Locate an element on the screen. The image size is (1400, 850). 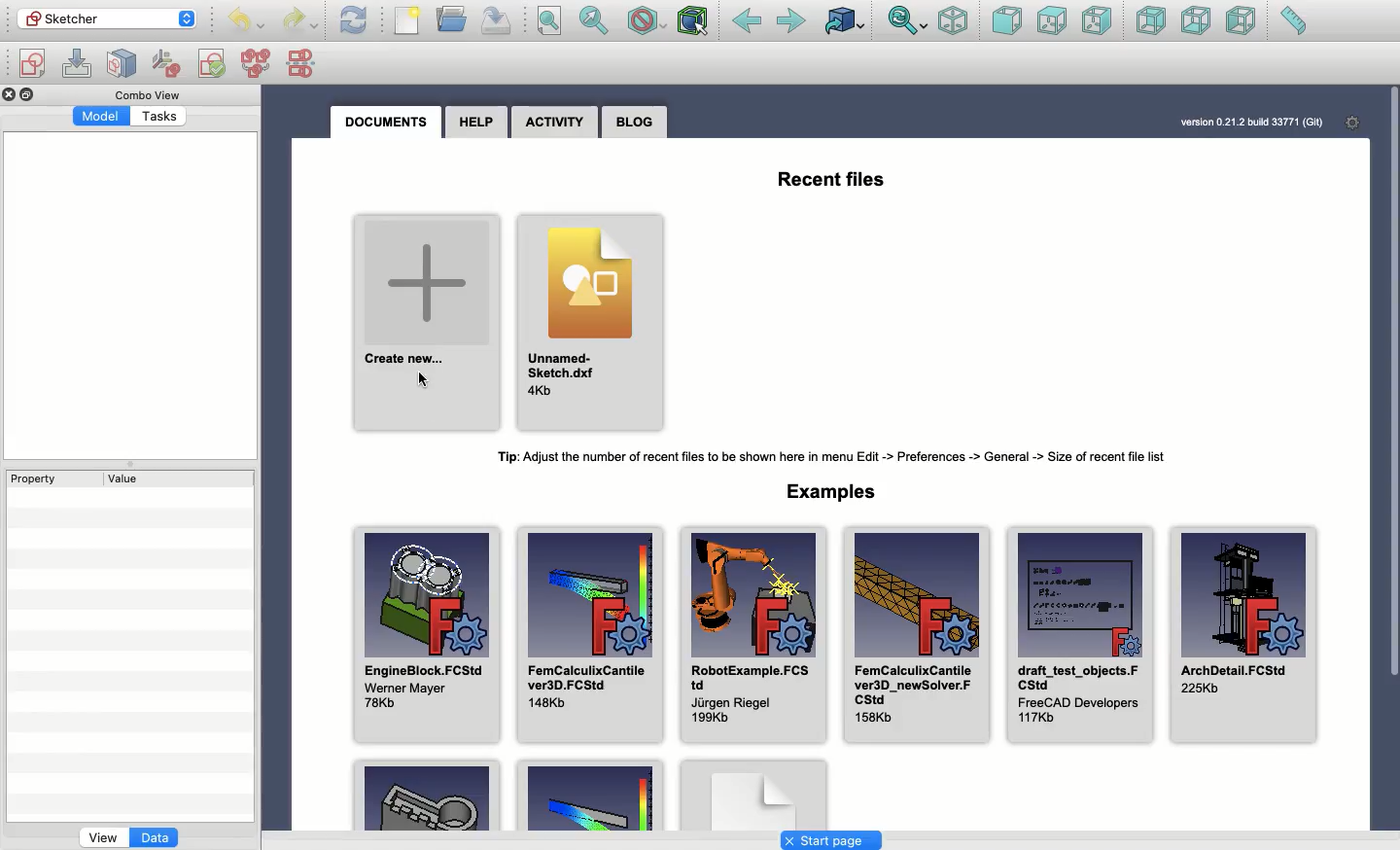
Open is located at coordinates (454, 18).